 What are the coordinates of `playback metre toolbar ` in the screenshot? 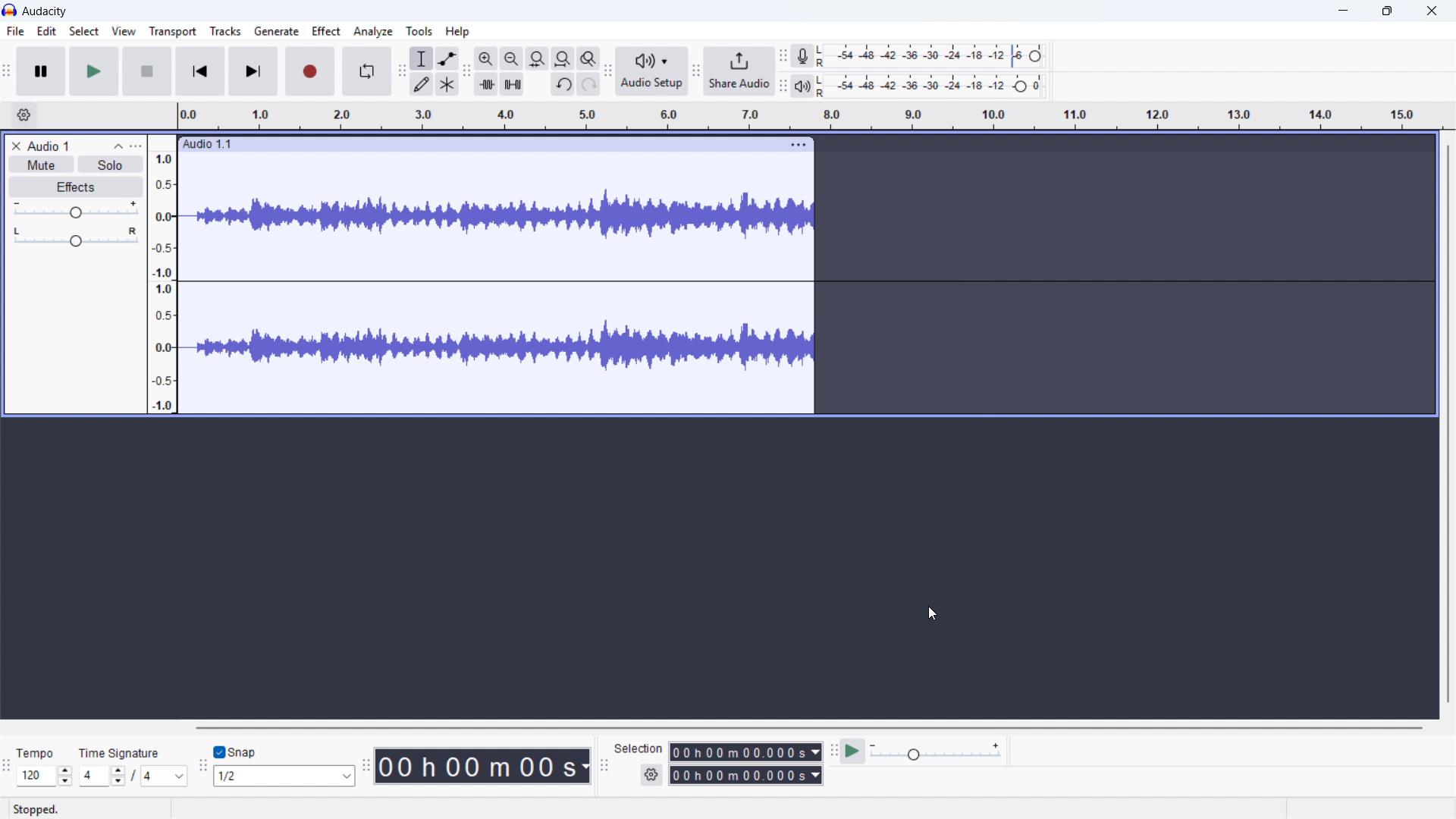 It's located at (783, 86).